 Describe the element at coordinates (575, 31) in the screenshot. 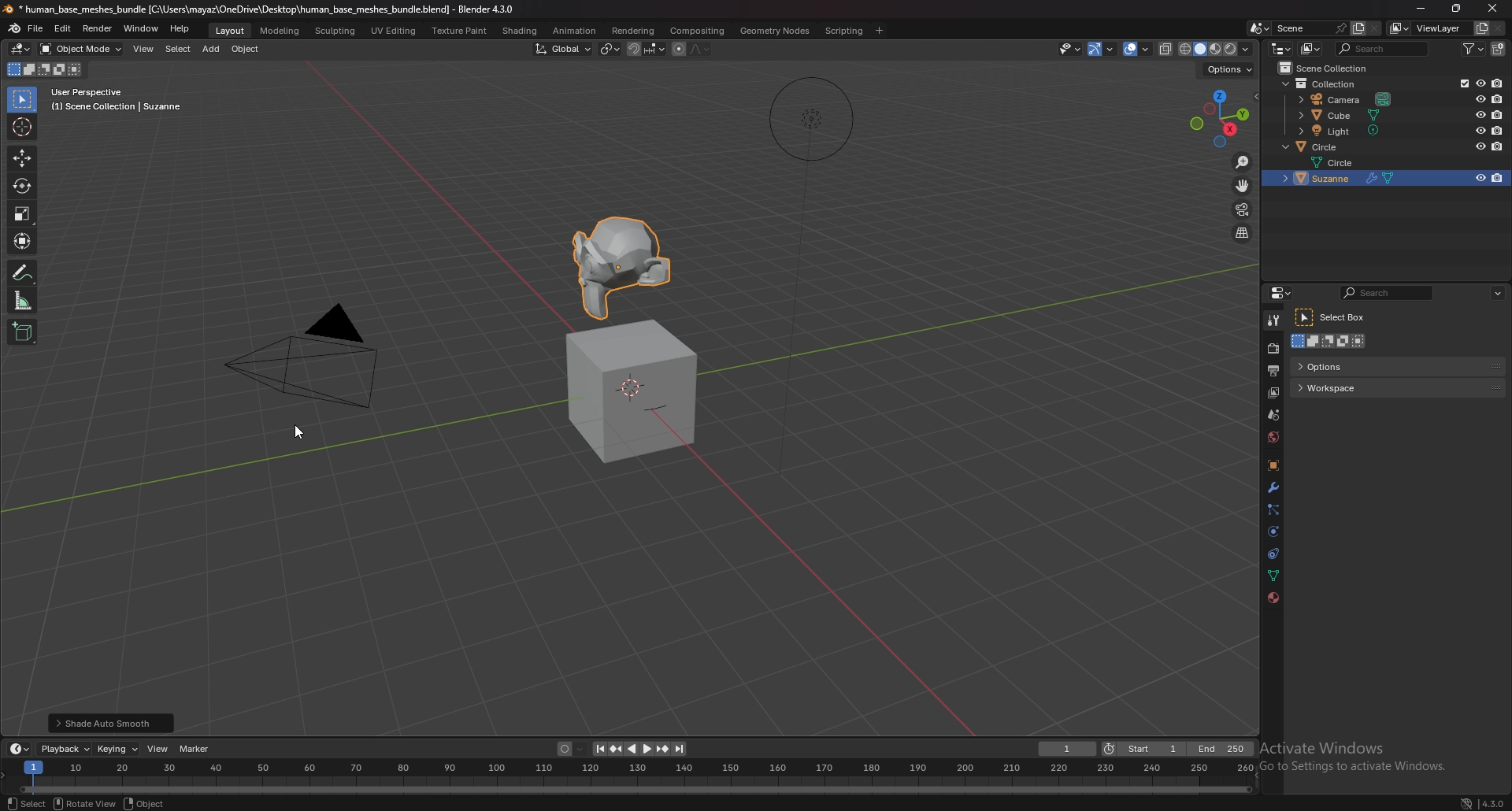

I see `animation` at that location.